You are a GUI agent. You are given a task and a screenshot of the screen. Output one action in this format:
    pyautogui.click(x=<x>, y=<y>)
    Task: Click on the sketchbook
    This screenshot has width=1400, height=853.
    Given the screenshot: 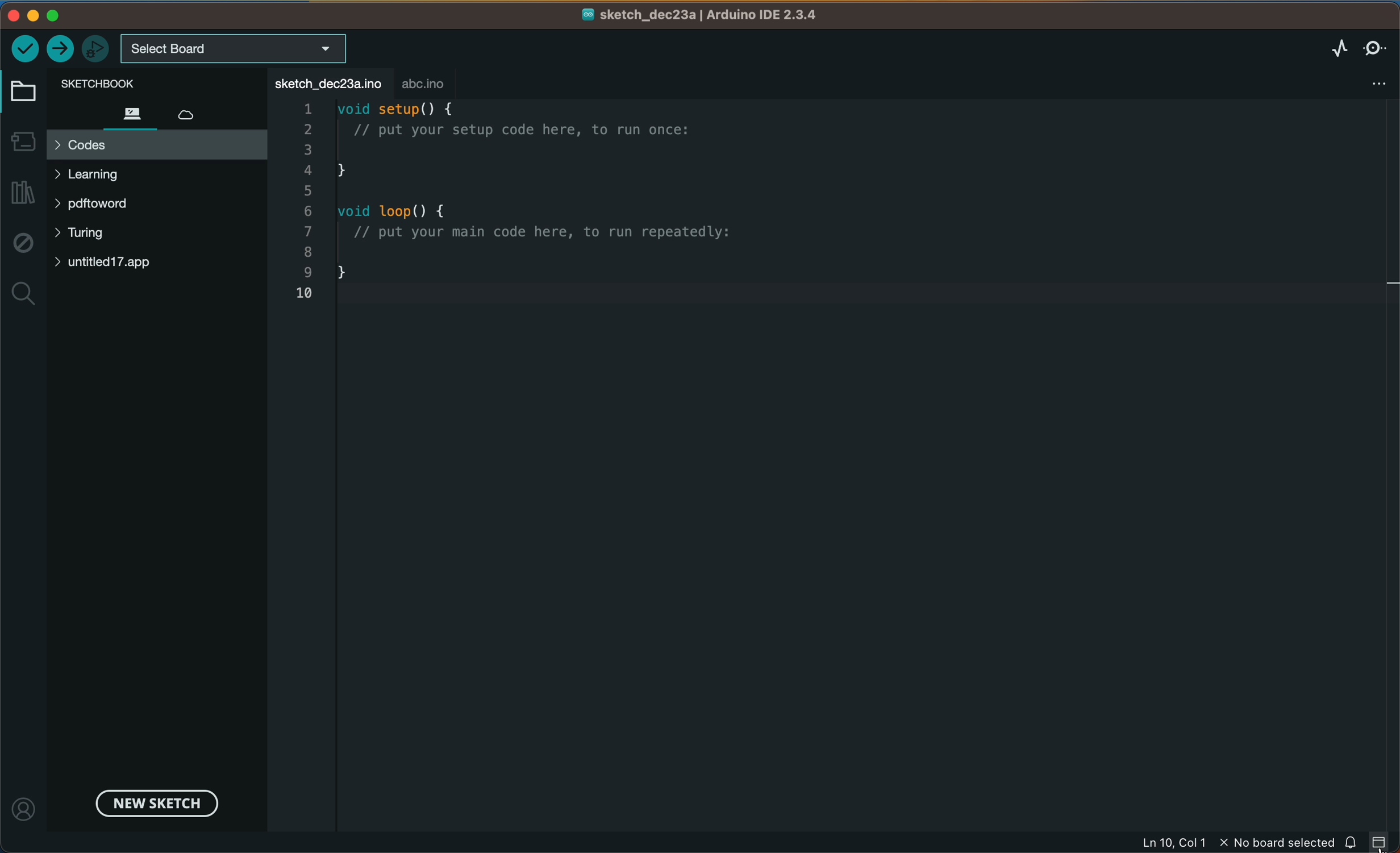 What is the action you would take?
    pyautogui.click(x=126, y=82)
    